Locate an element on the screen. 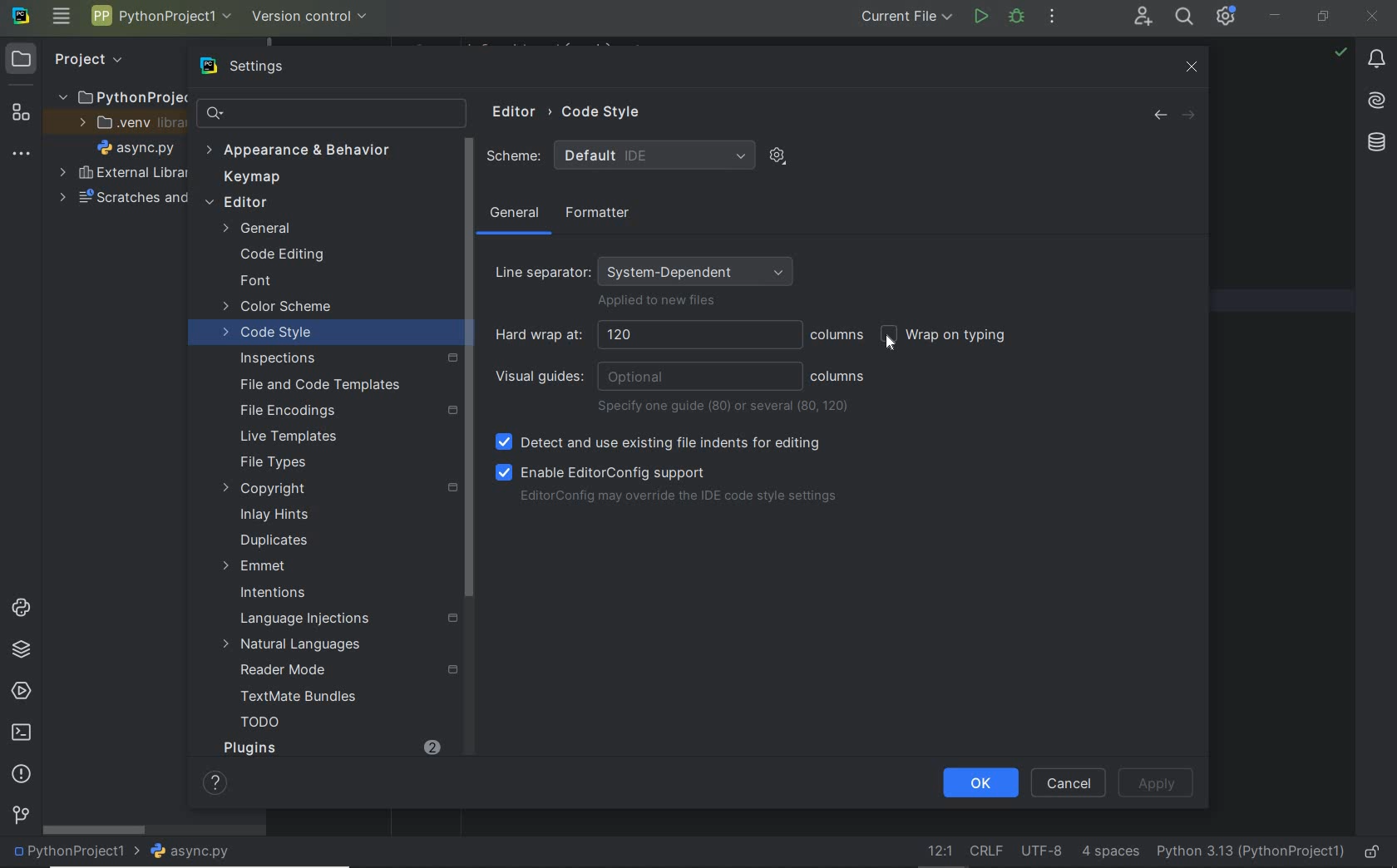 Image resolution: width=1397 pixels, height=868 pixels. TextMate Bundles is located at coordinates (293, 698).